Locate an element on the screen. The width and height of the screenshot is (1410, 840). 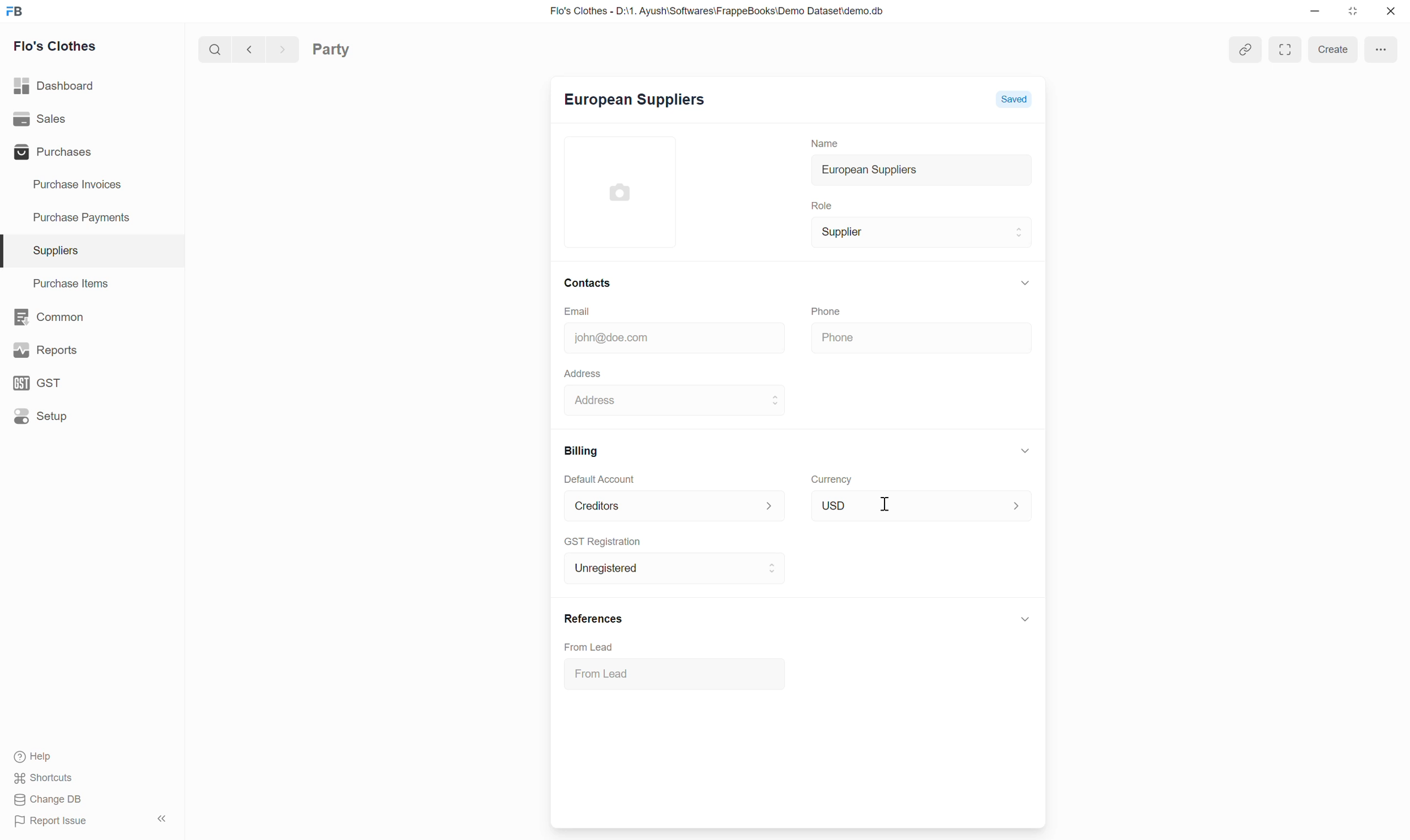
Sales is located at coordinates (41, 115).